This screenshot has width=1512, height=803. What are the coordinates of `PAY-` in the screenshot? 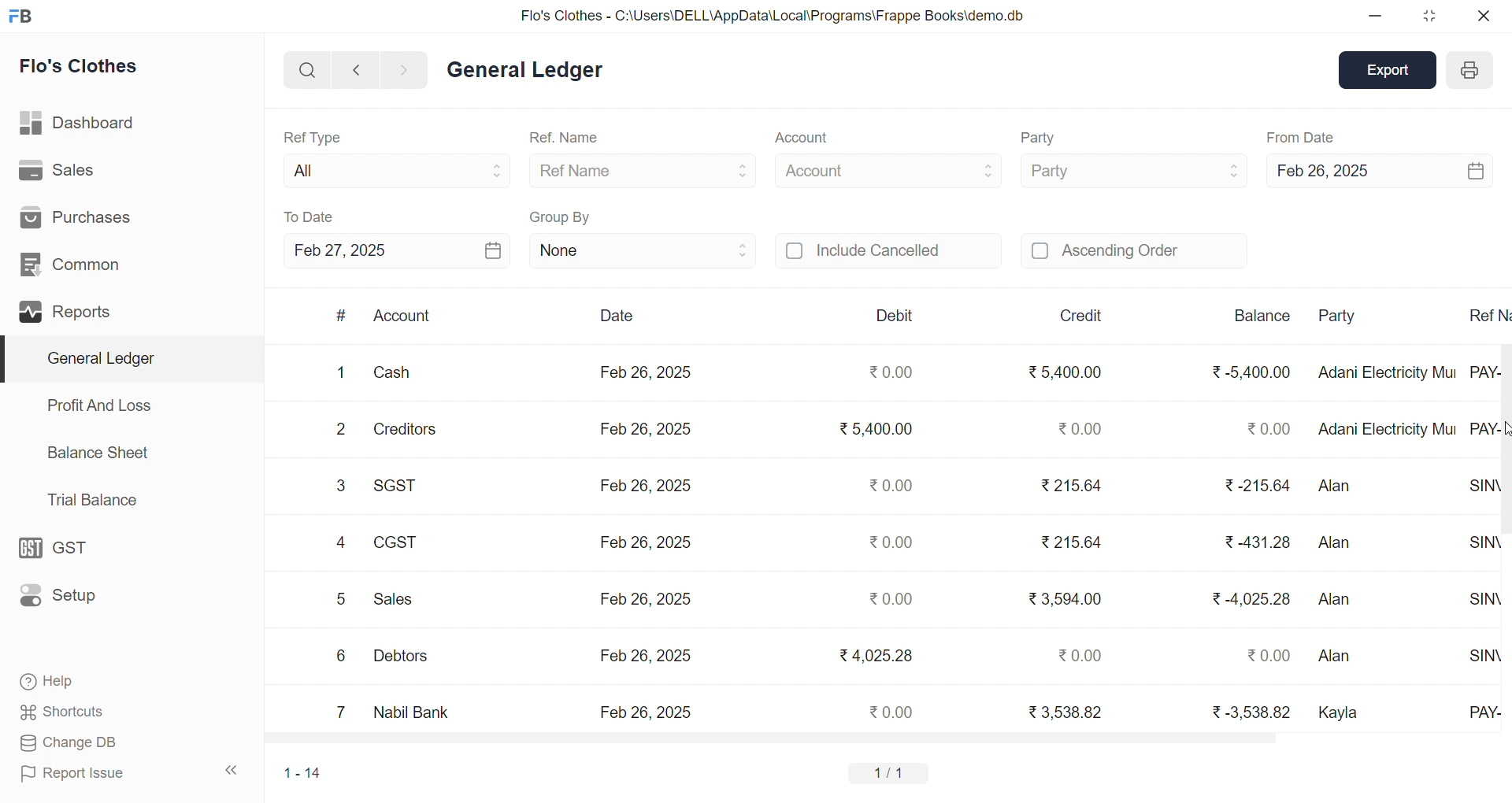 It's located at (1477, 370).